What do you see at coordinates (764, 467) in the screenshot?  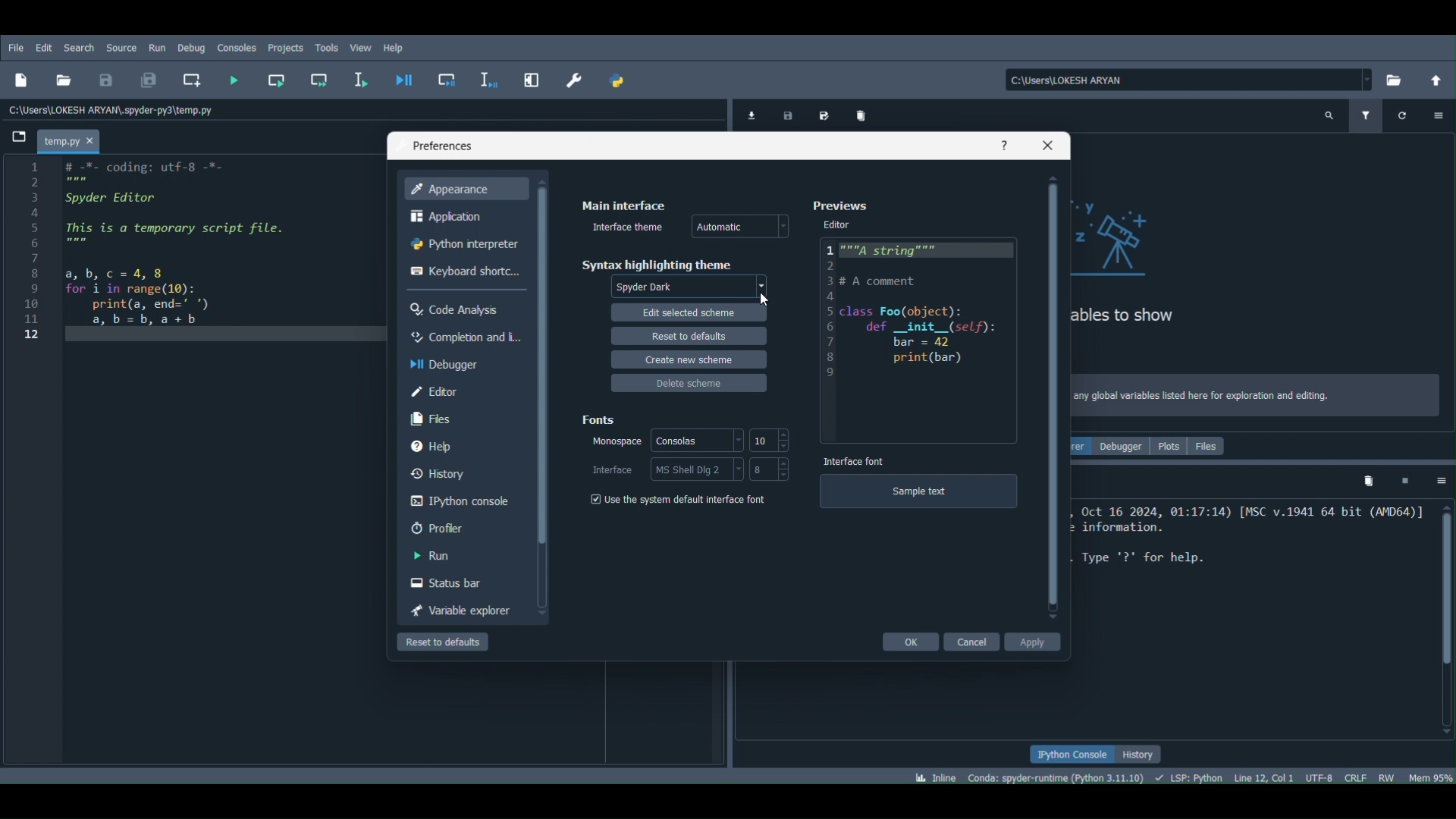 I see `Size` at bounding box center [764, 467].